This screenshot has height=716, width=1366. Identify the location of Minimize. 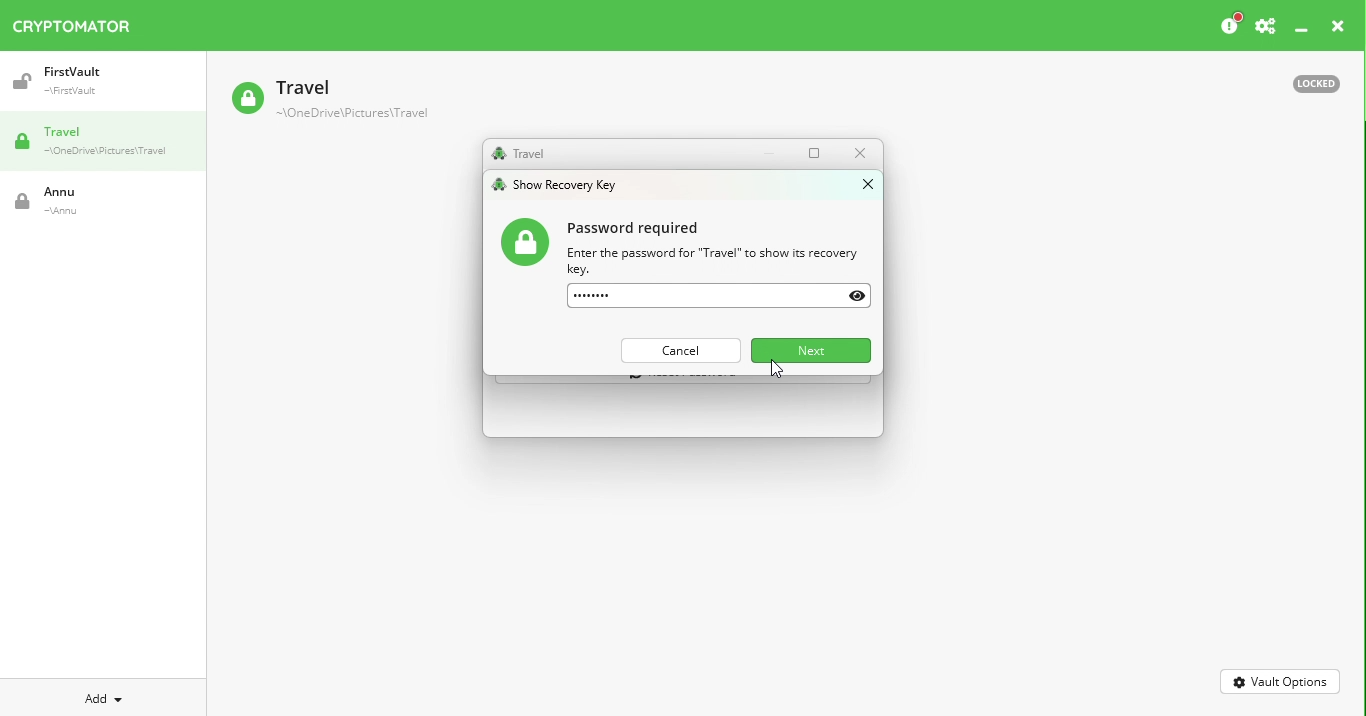
(1302, 31).